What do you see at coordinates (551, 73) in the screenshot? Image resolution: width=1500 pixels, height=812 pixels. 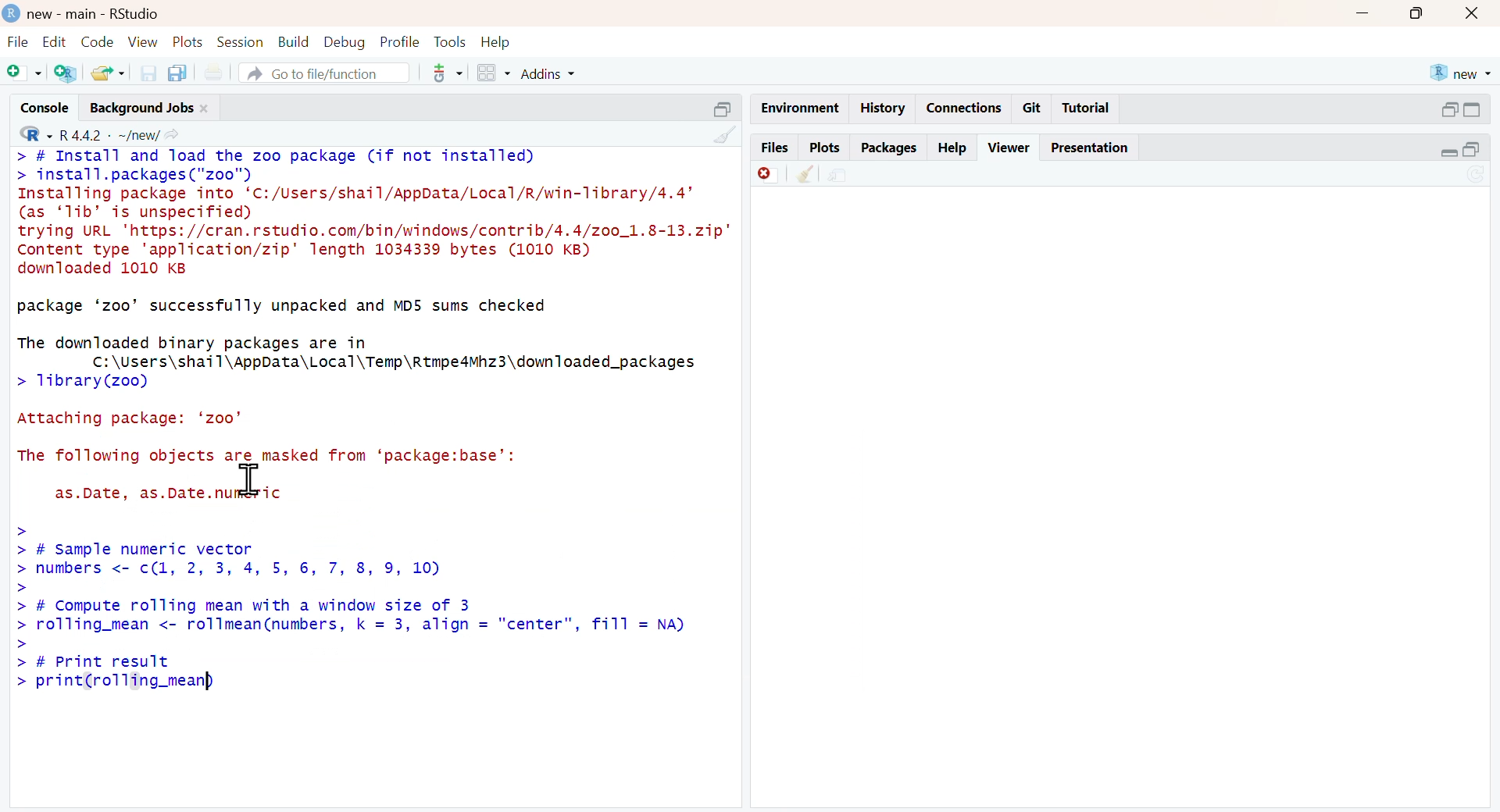 I see `addins` at bounding box center [551, 73].